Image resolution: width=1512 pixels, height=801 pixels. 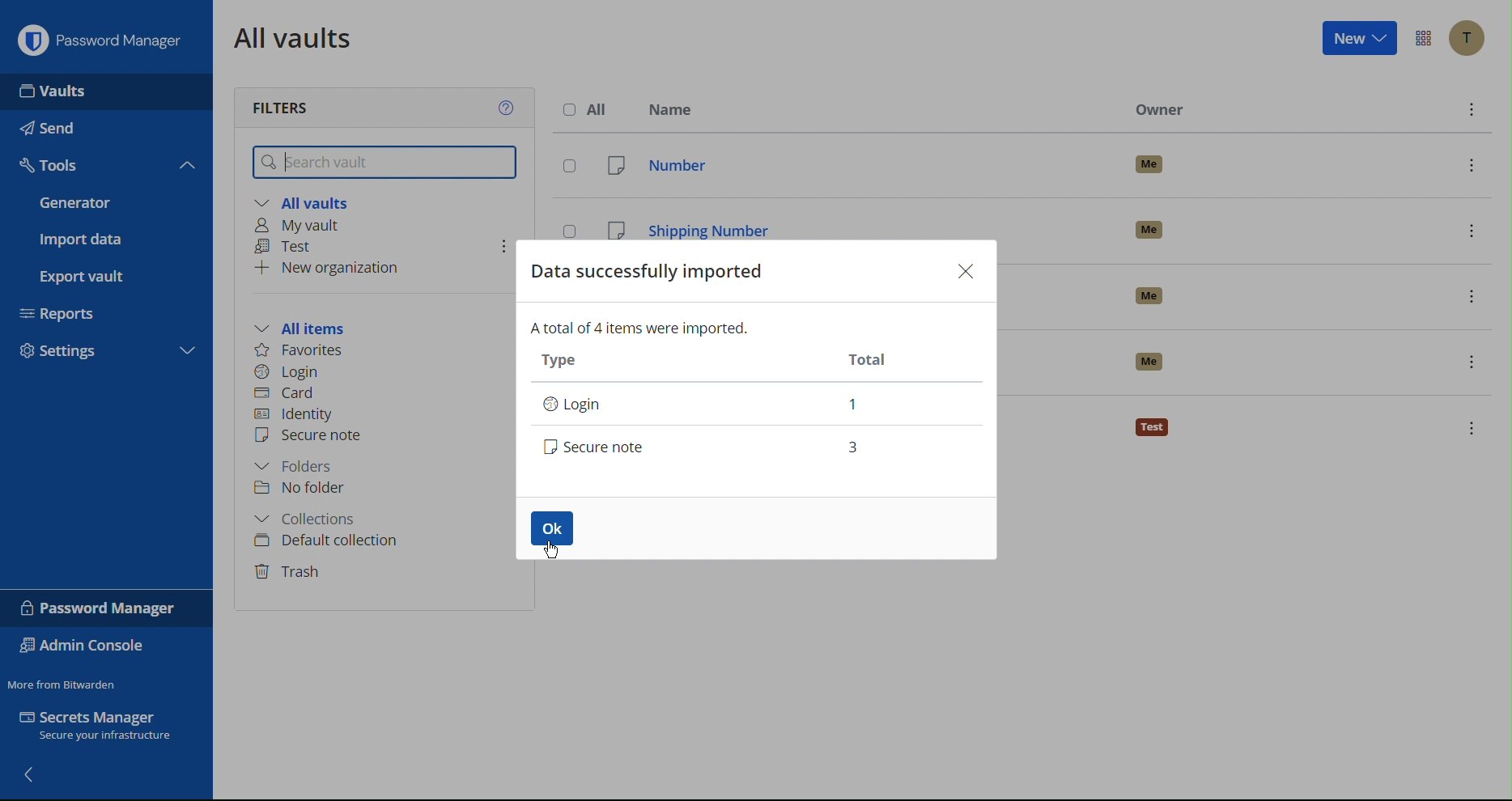 I want to click on Identity, so click(x=295, y=414).